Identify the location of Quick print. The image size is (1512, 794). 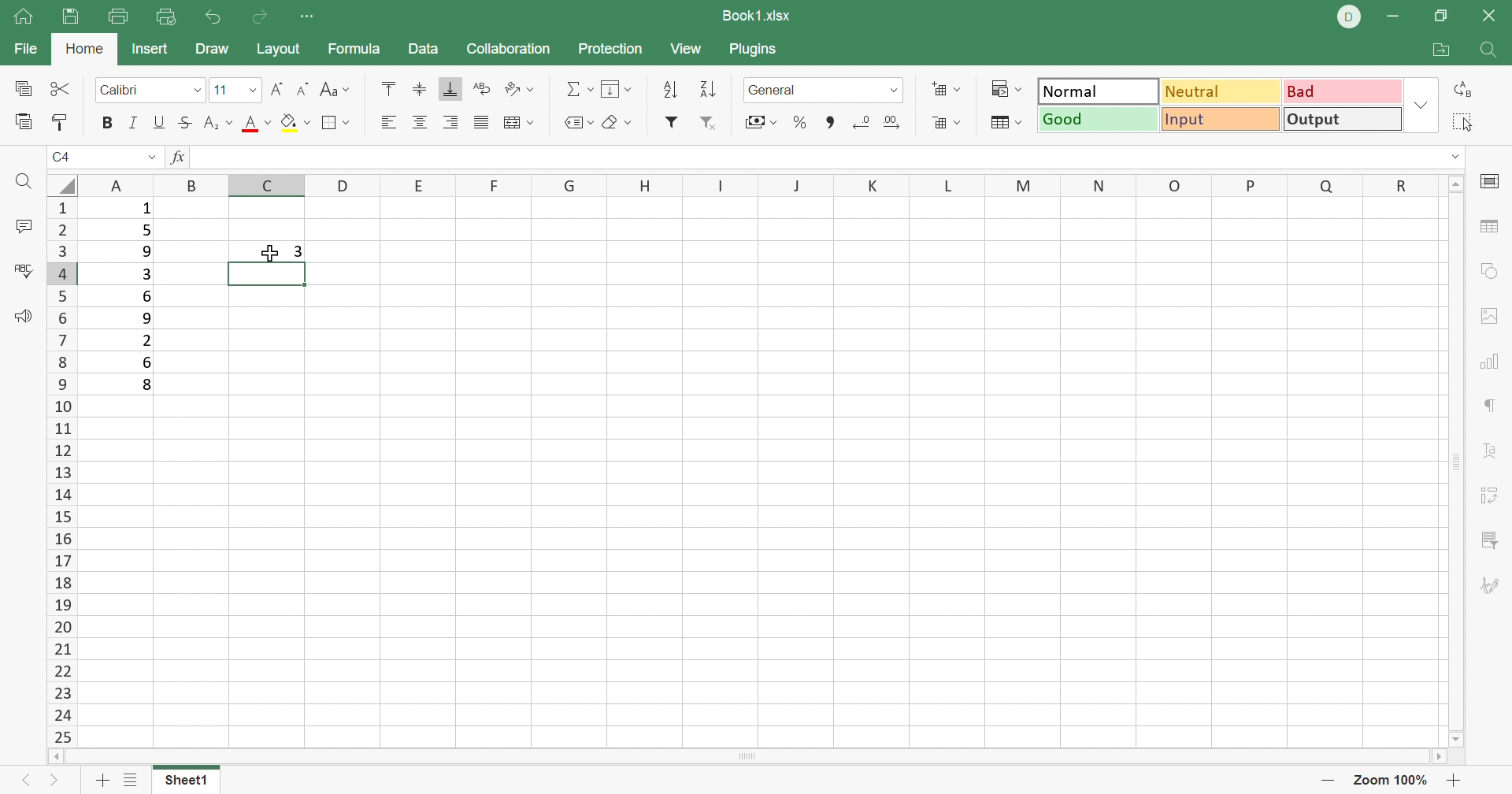
(165, 16).